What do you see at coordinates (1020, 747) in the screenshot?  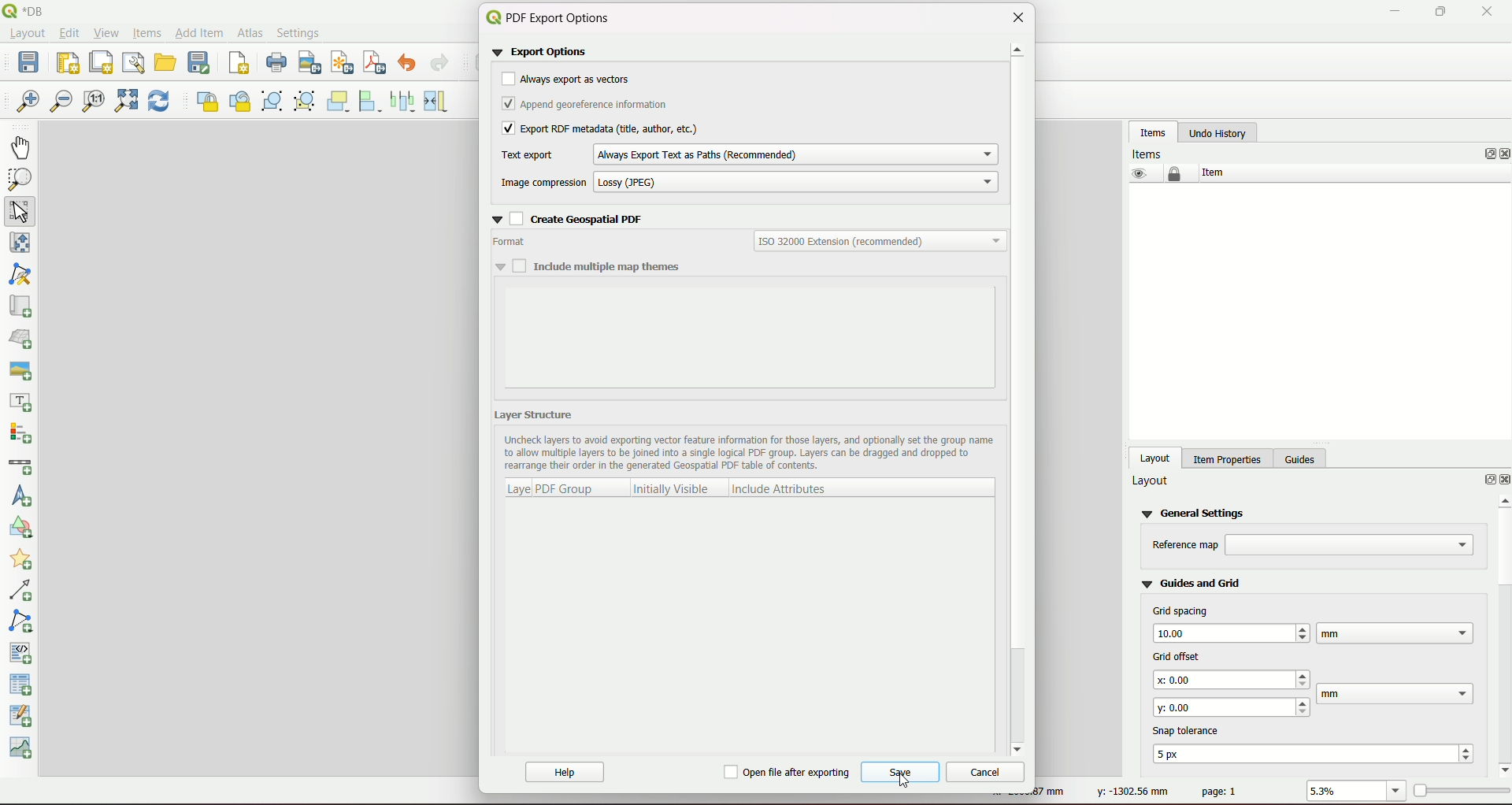 I see `scrolldown` at bounding box center [1020, 747].